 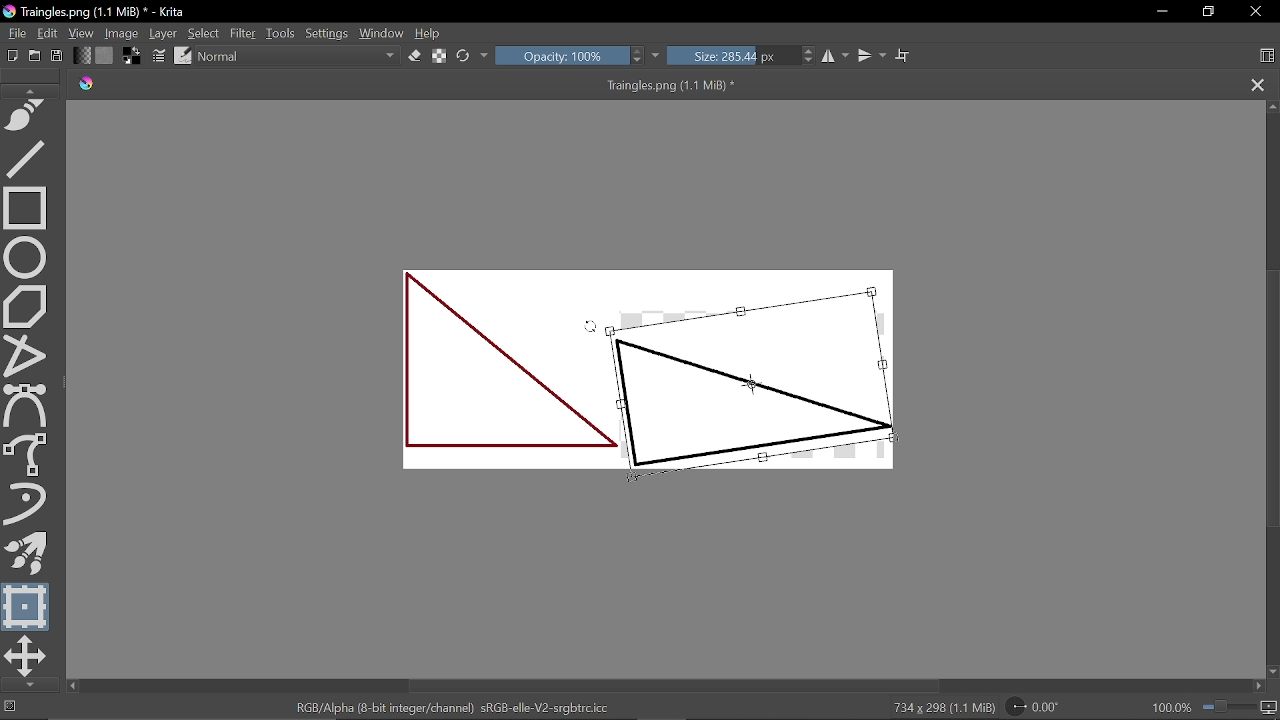 I want to click on Choose workspace, so click(x=1266, y=58).